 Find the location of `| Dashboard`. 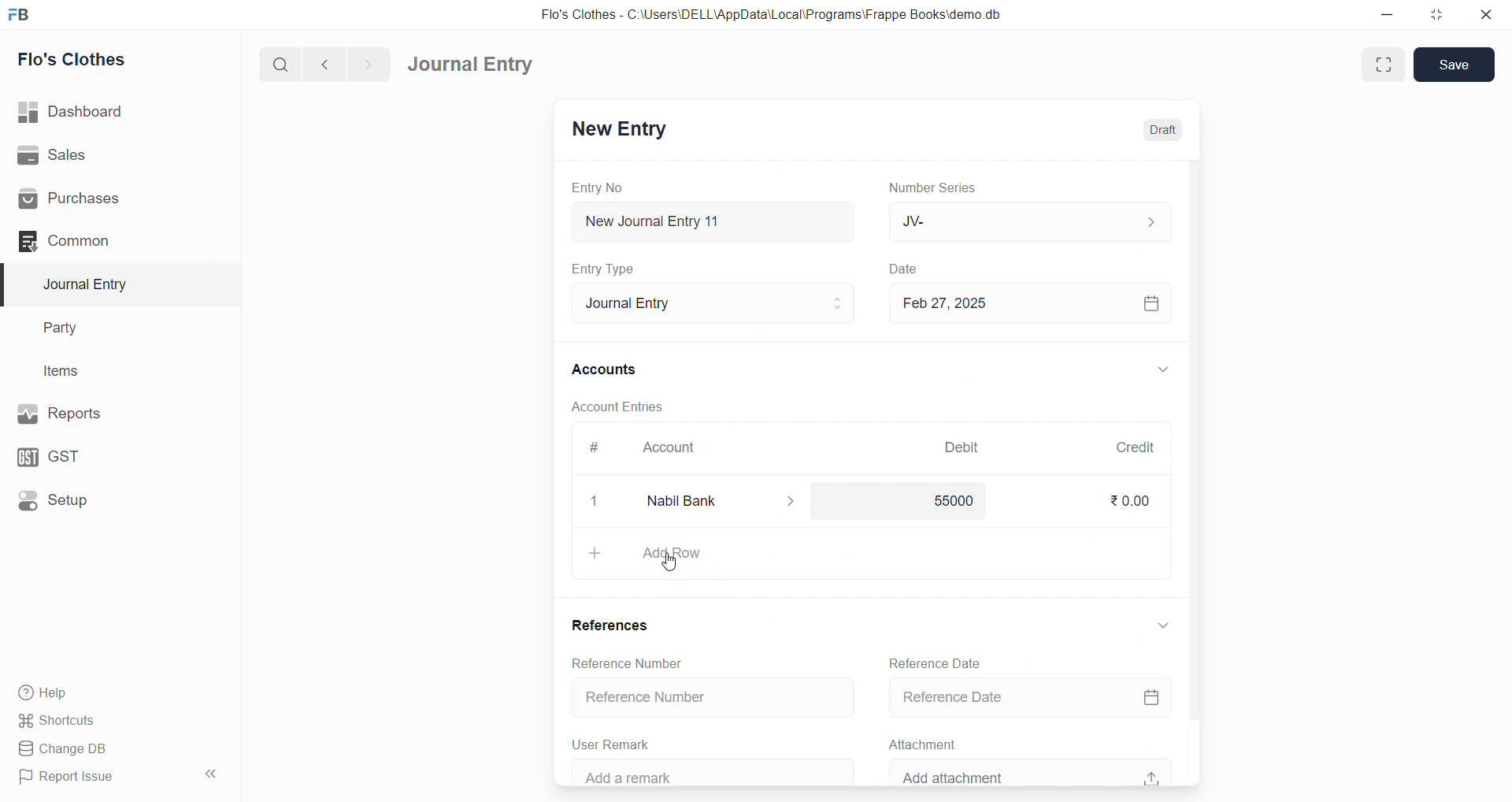

| Dashboard is located at coordinates (86, 113).